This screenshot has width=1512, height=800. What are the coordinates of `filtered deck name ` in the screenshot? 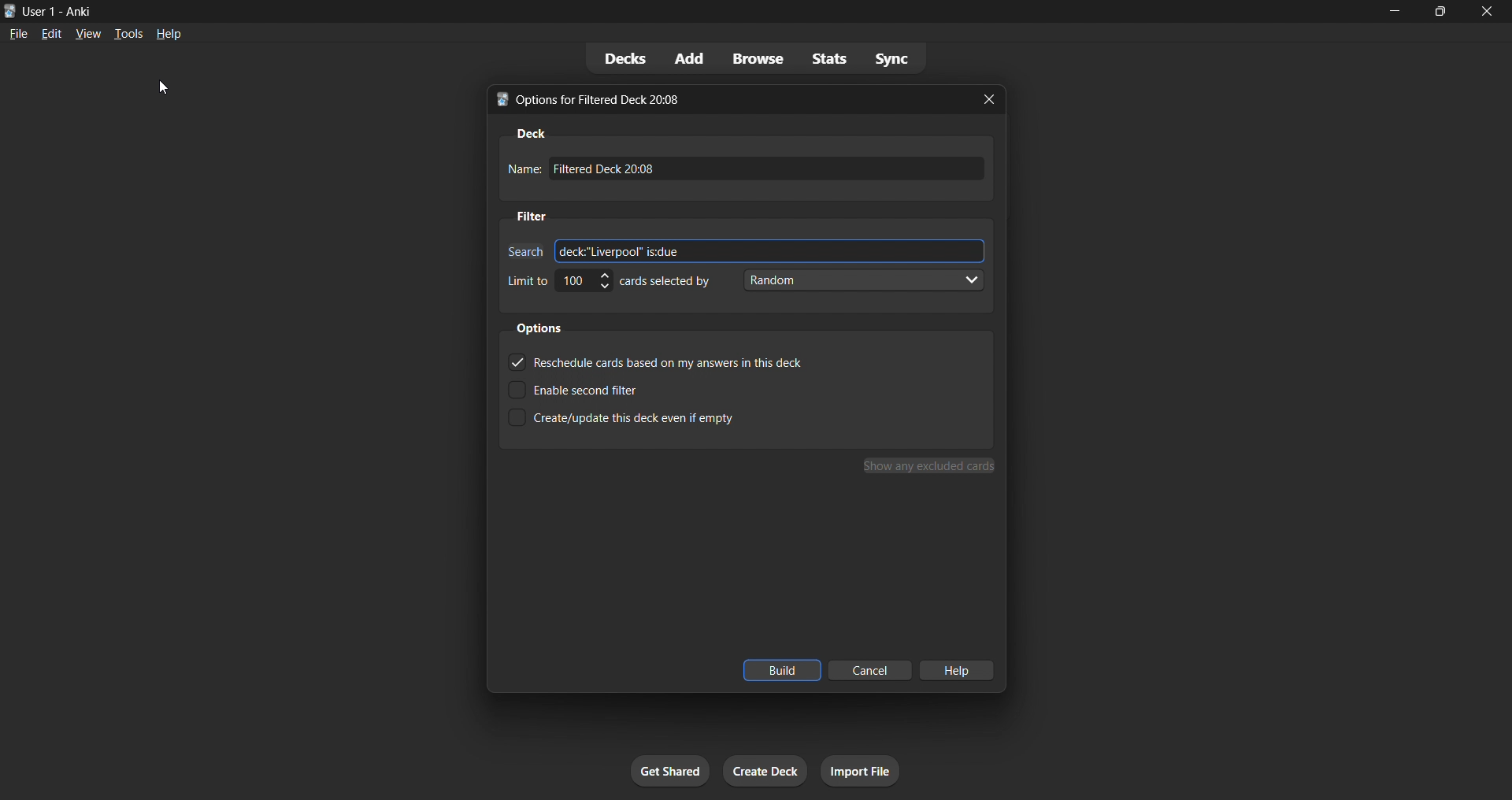 It's located at (770, 168).